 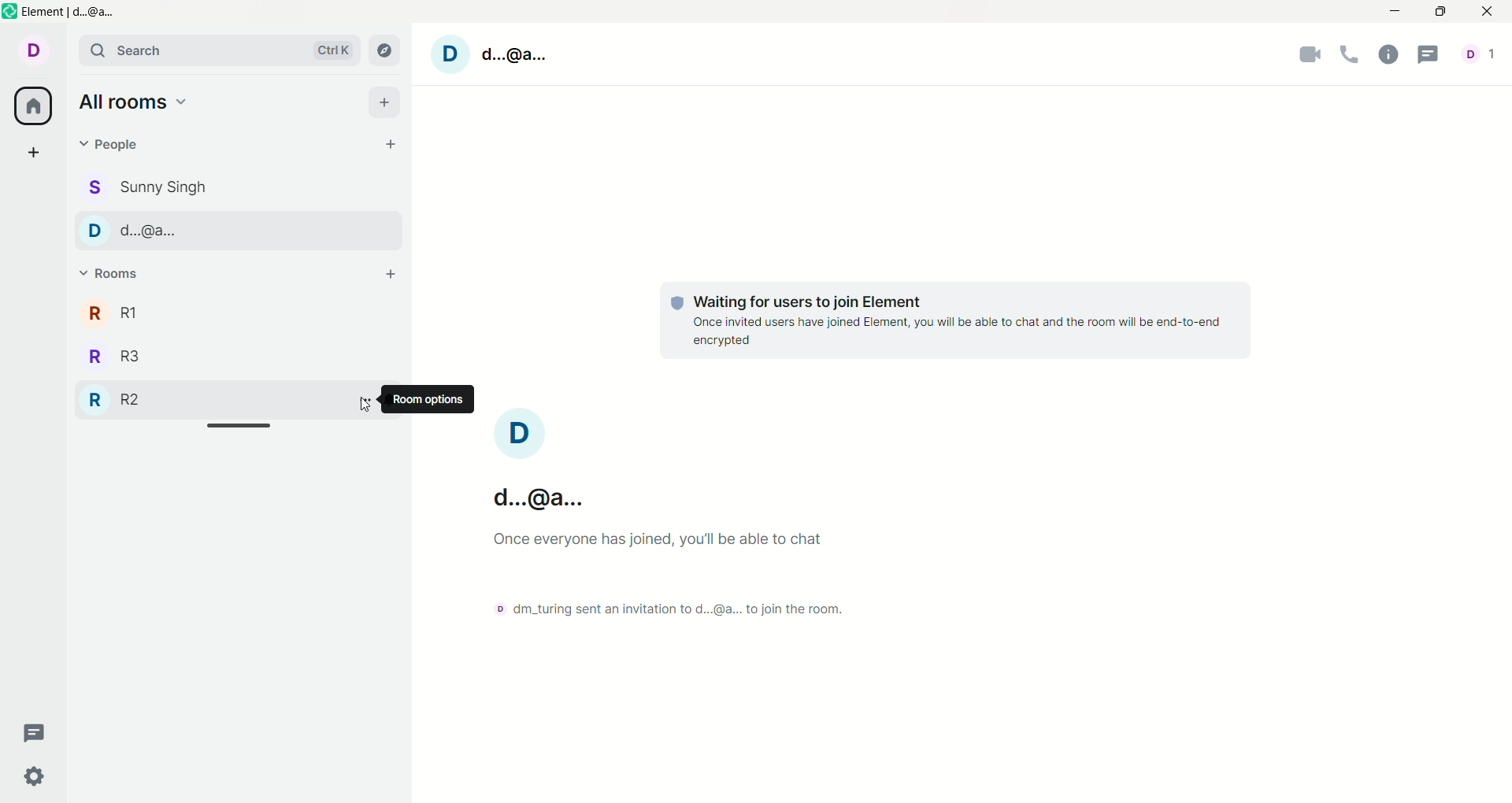 What do you see at coordinates (239, 425) in the screenshot?
I see `Horizontal slide bar` at bounding box center [239, 425].